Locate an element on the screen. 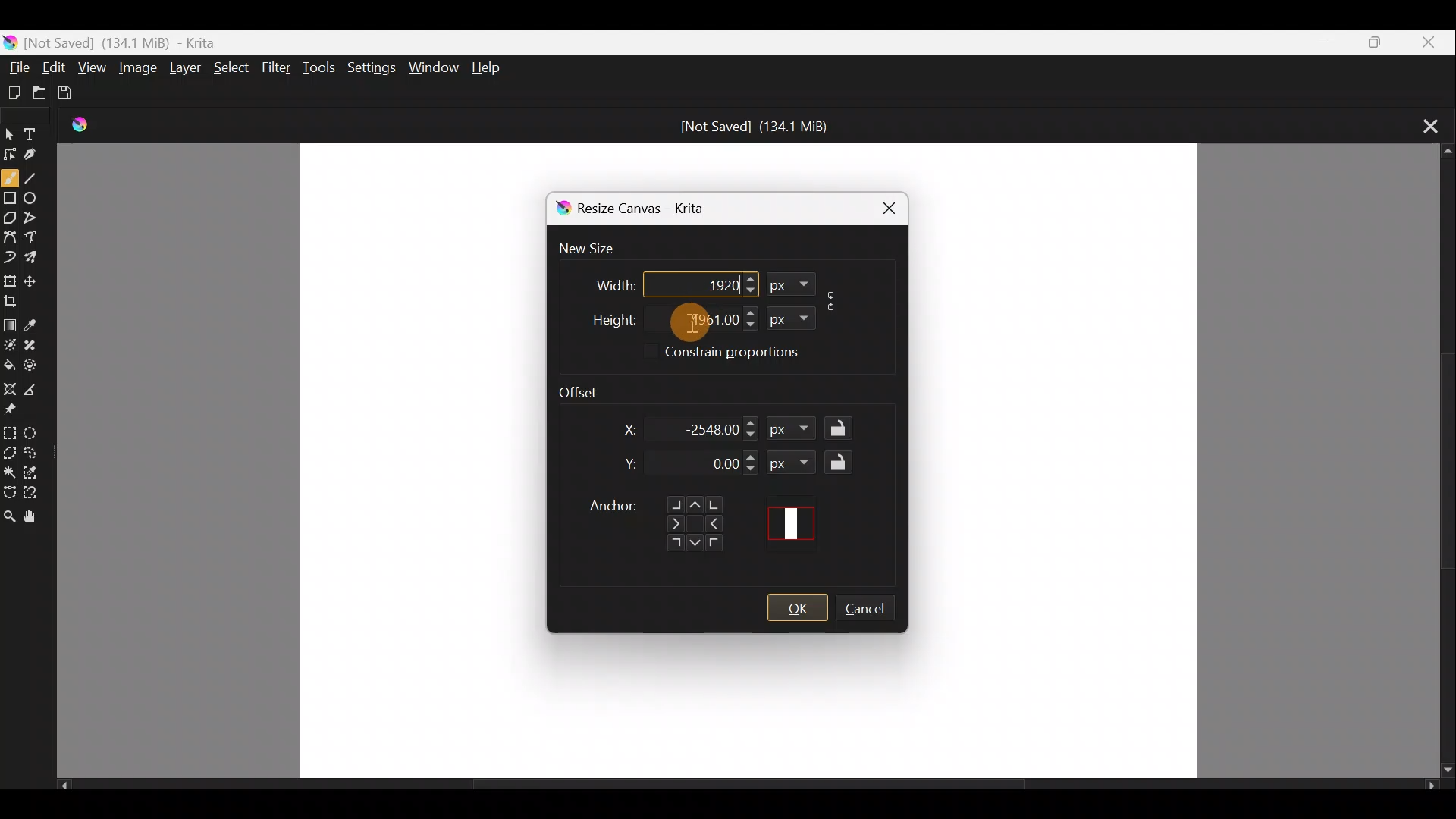 The height and width of the screenshot is (819, 1456). Decrease width is located at coordinates (749, 290).